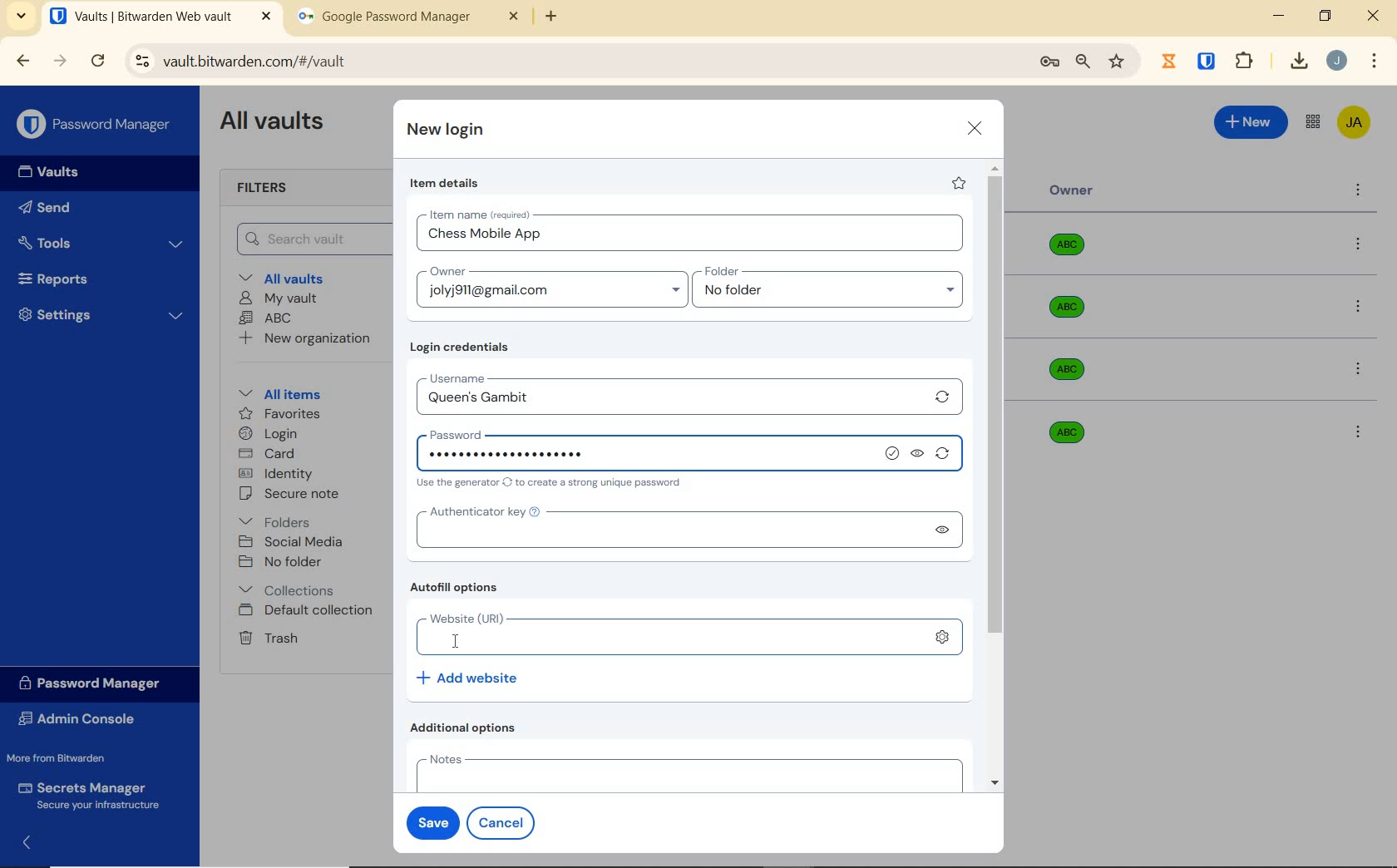 This screenshot has width=1397, height=868. I want to click on generate, so click(946, 456).